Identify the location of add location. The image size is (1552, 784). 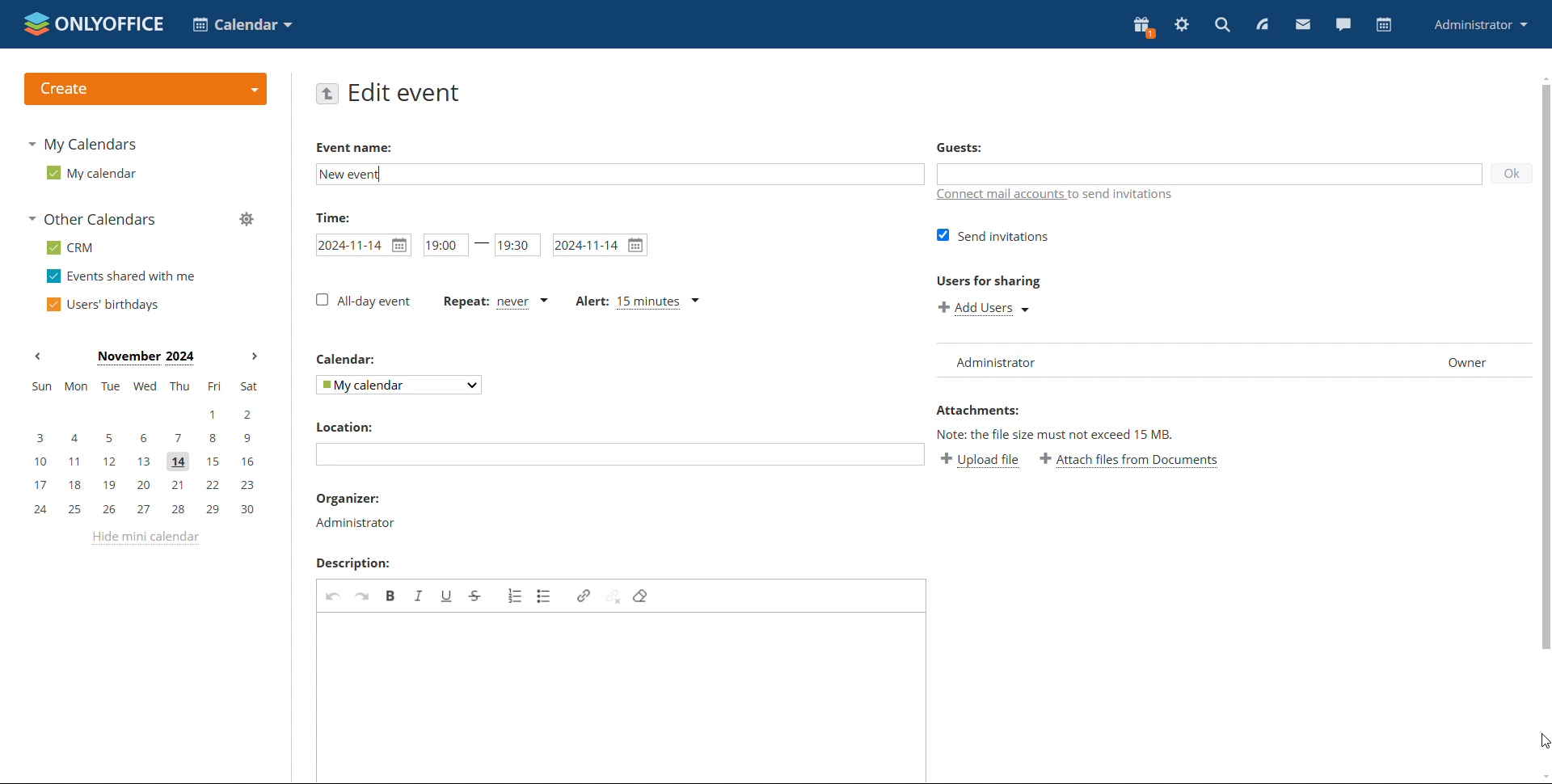
(622, 455).